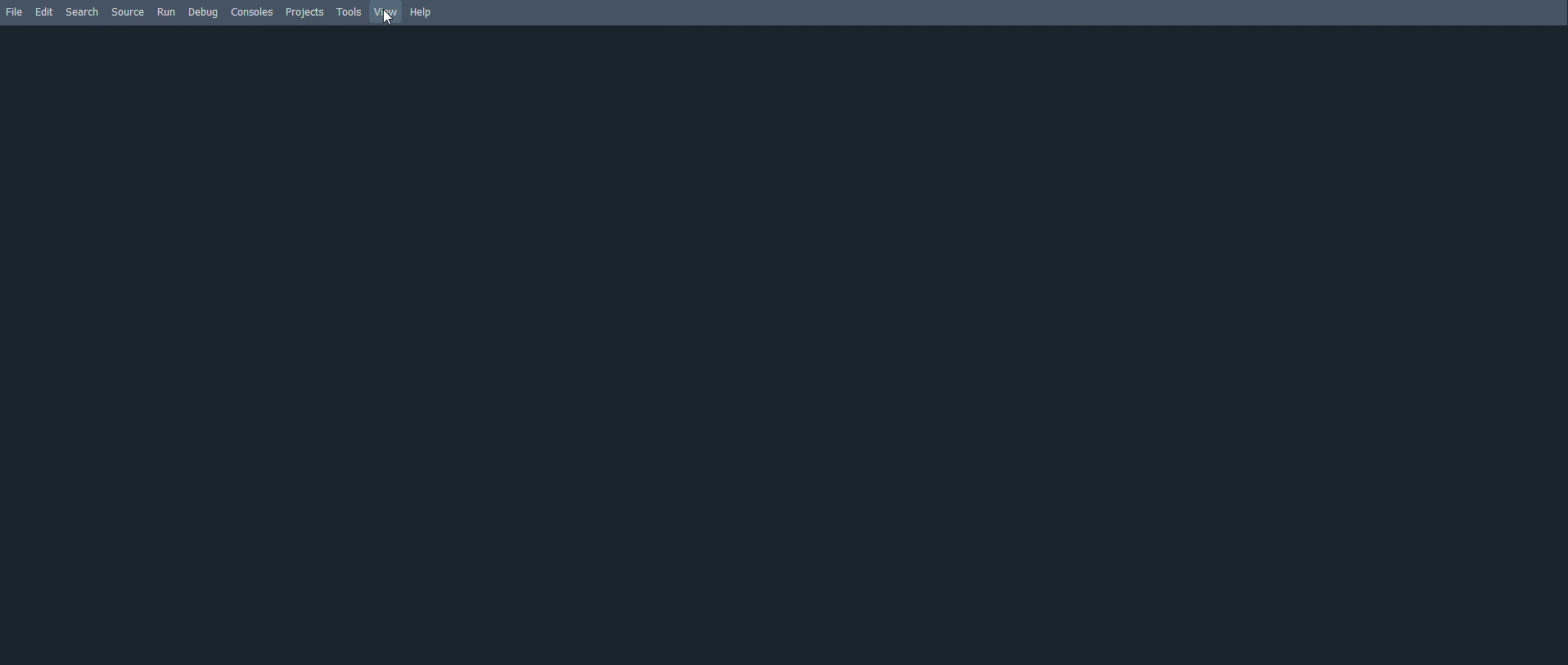  I want to click on Run, so click(166, 13).